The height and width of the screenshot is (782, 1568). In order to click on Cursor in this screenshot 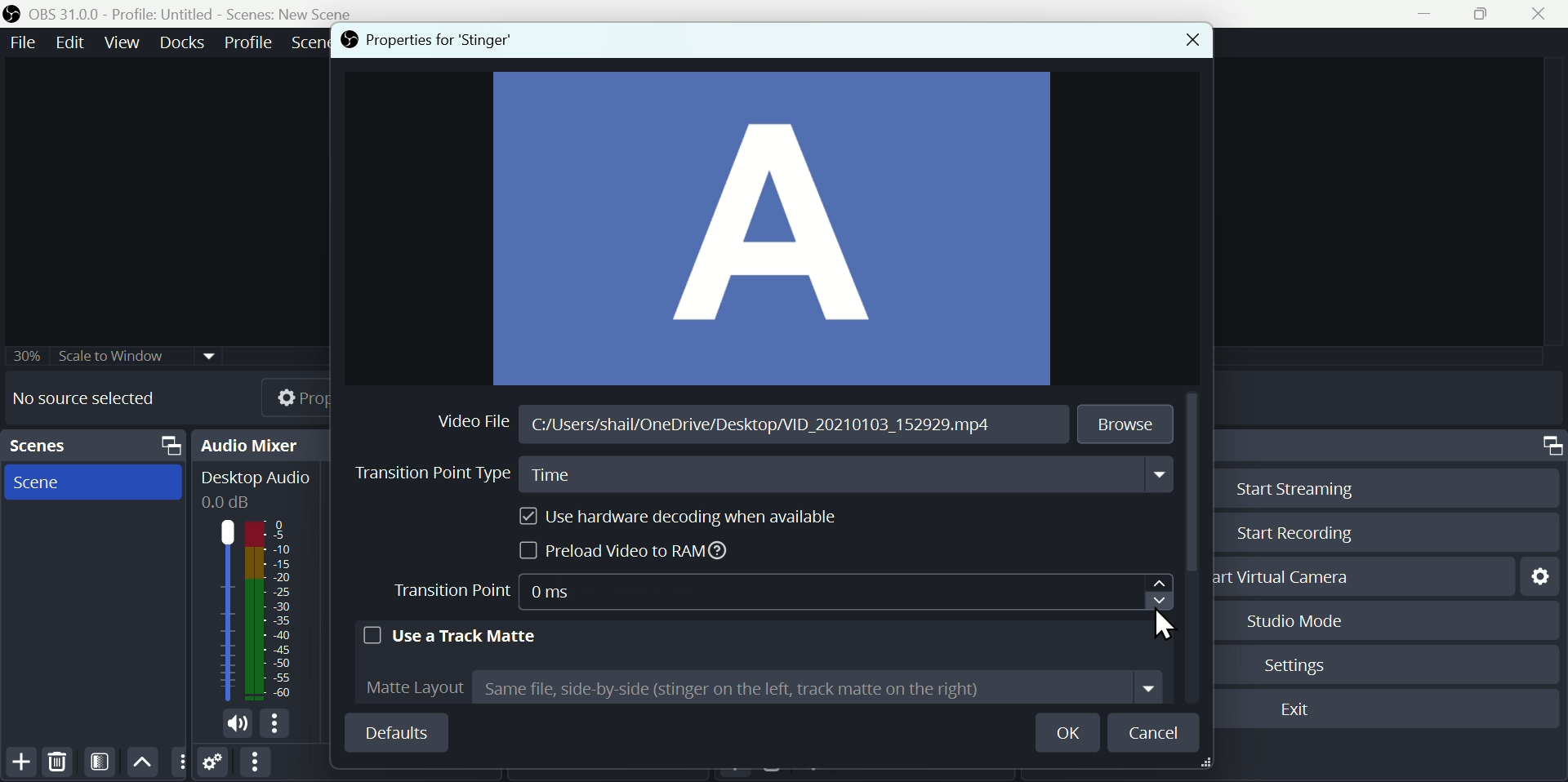, I will do `click(1162, 592)`.